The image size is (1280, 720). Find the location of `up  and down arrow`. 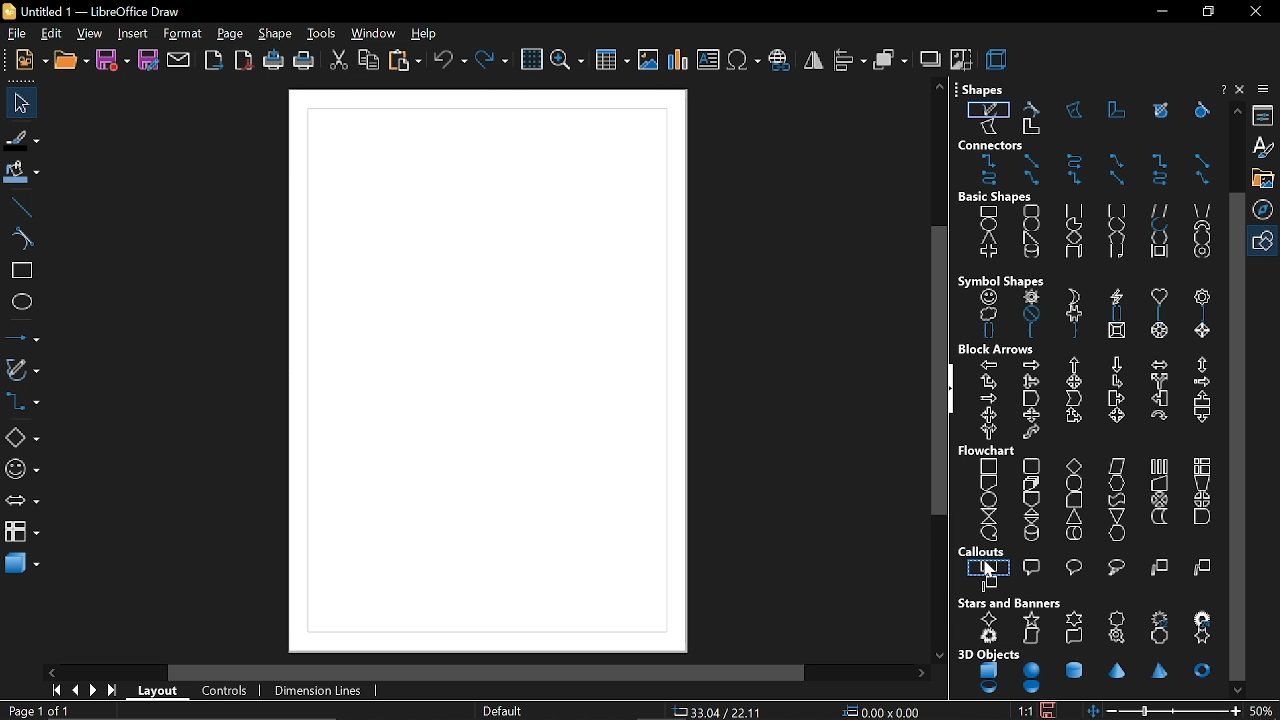

up  and down arrow is located at coordinates (1200, 365).